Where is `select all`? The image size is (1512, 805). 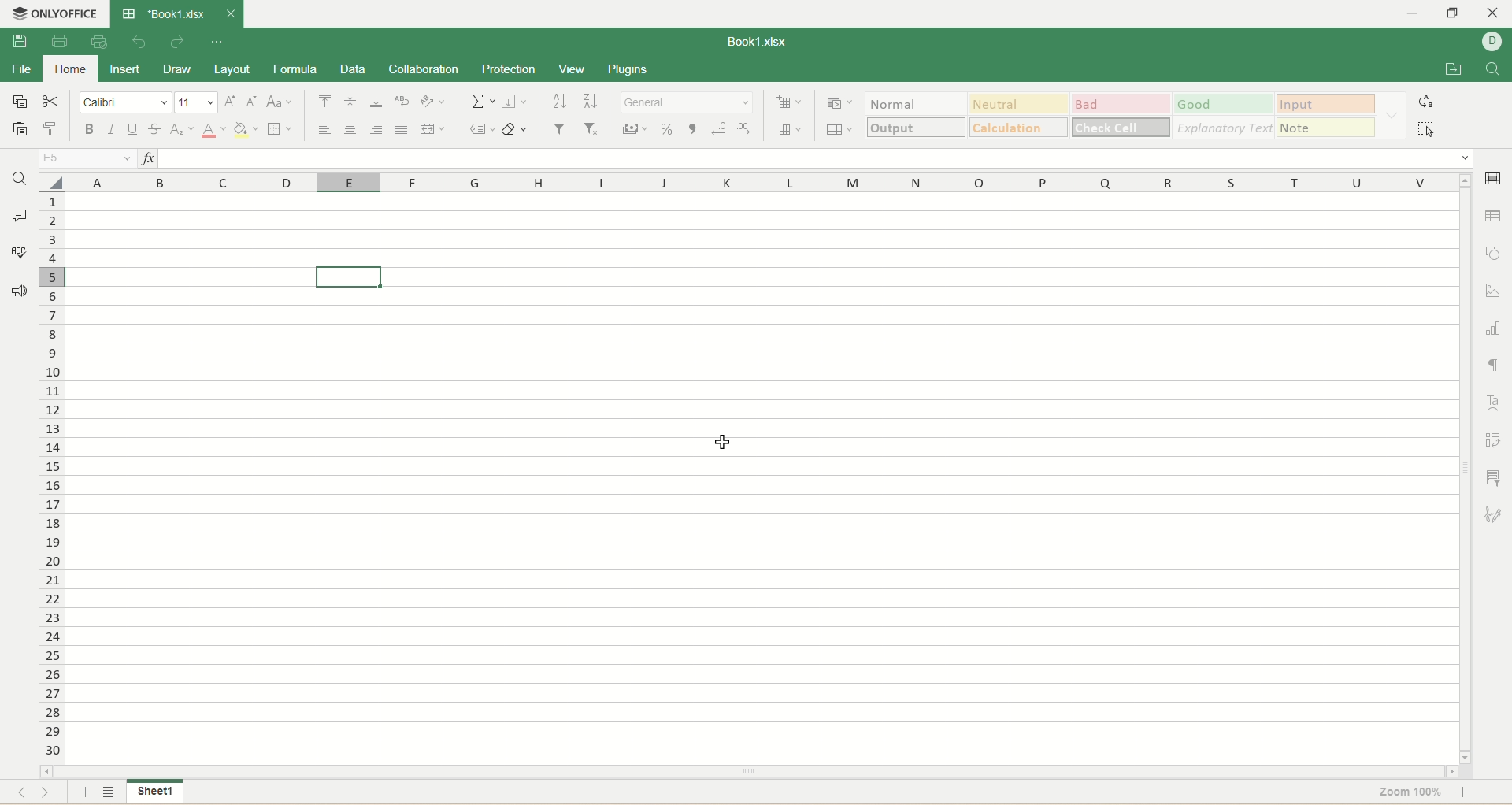 select all is located at coordinates (1431, 133).